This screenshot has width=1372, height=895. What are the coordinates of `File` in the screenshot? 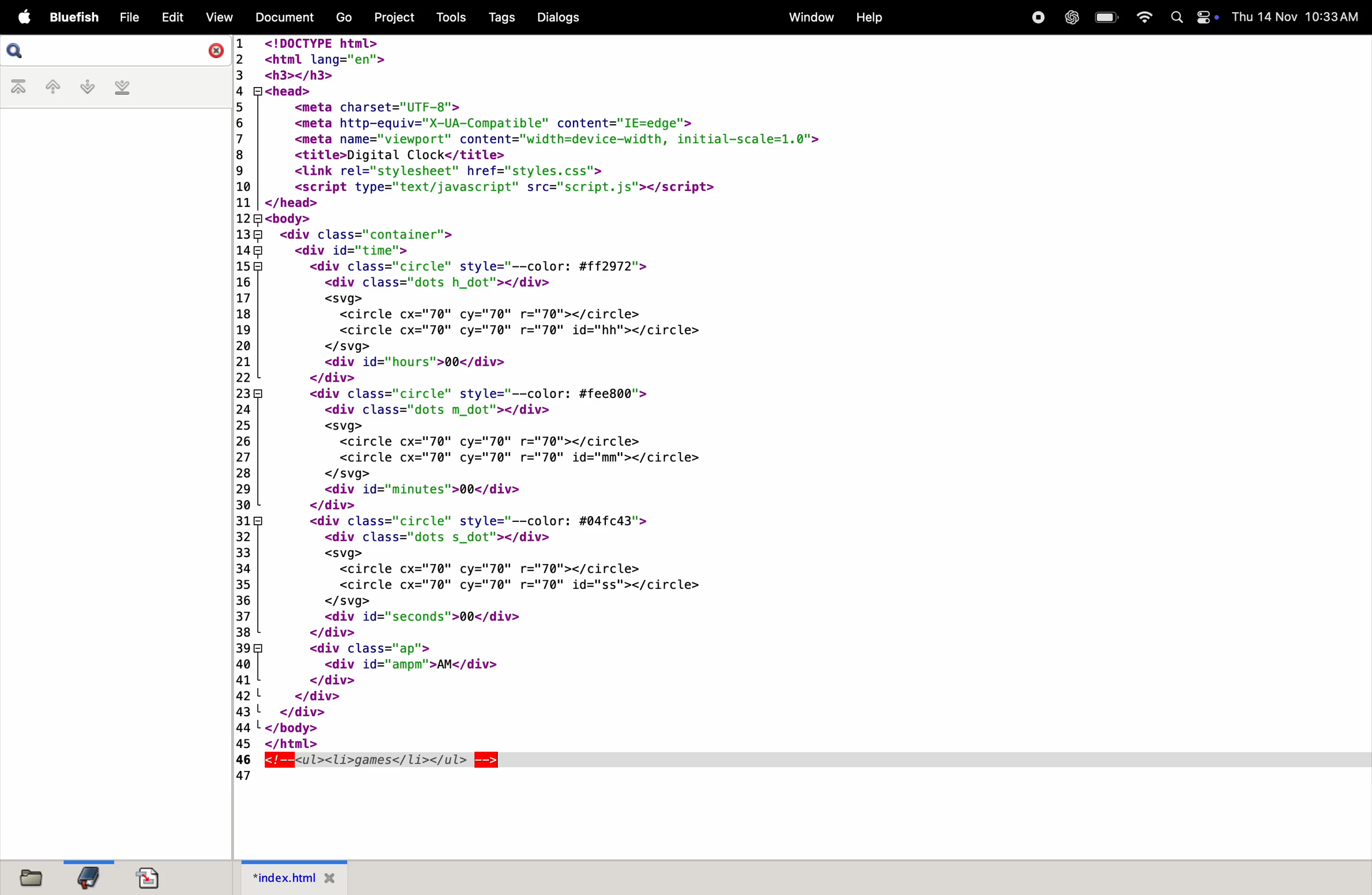 It's located at (130, 17).